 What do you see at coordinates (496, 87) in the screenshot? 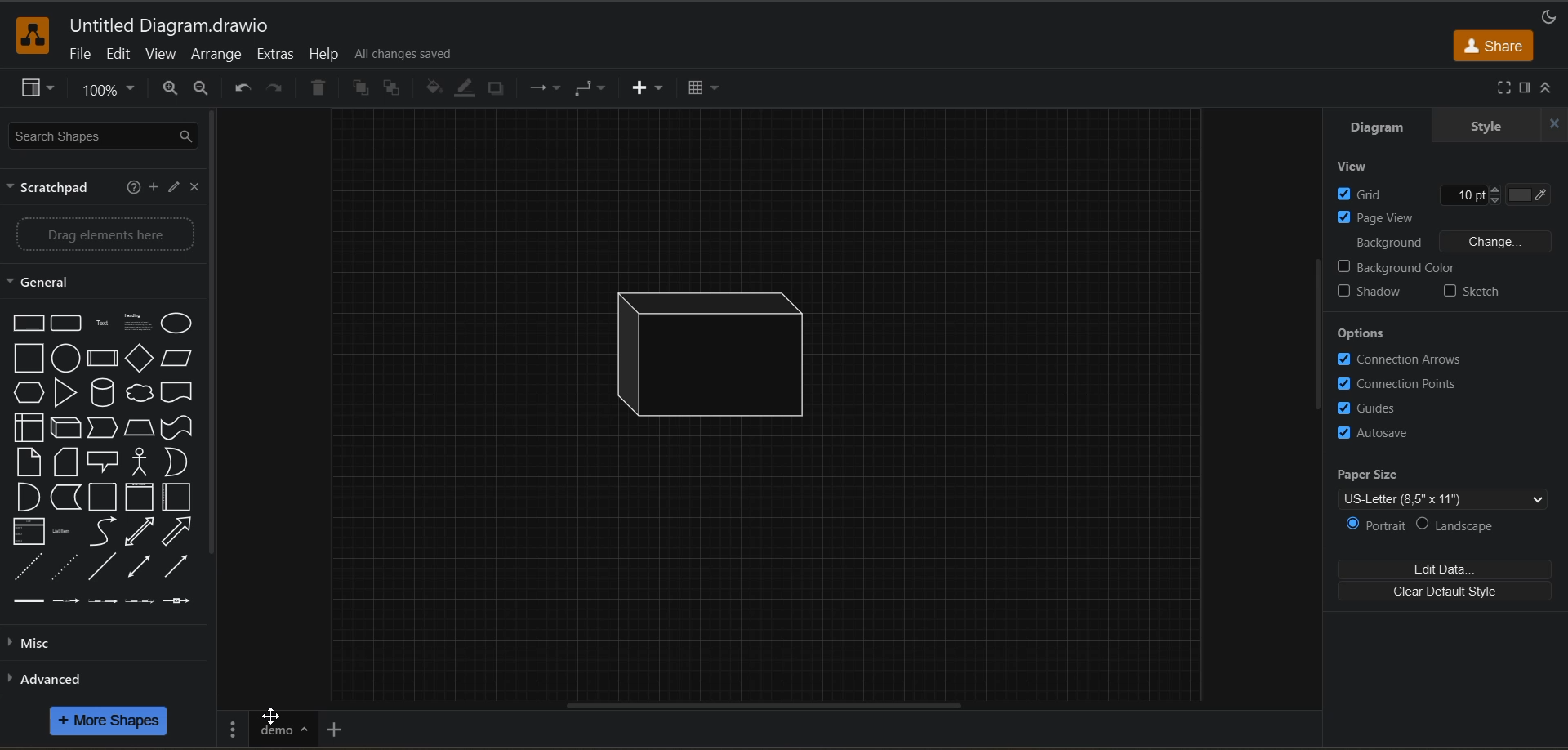
I see `shadow` at bounding box center [496, 87].